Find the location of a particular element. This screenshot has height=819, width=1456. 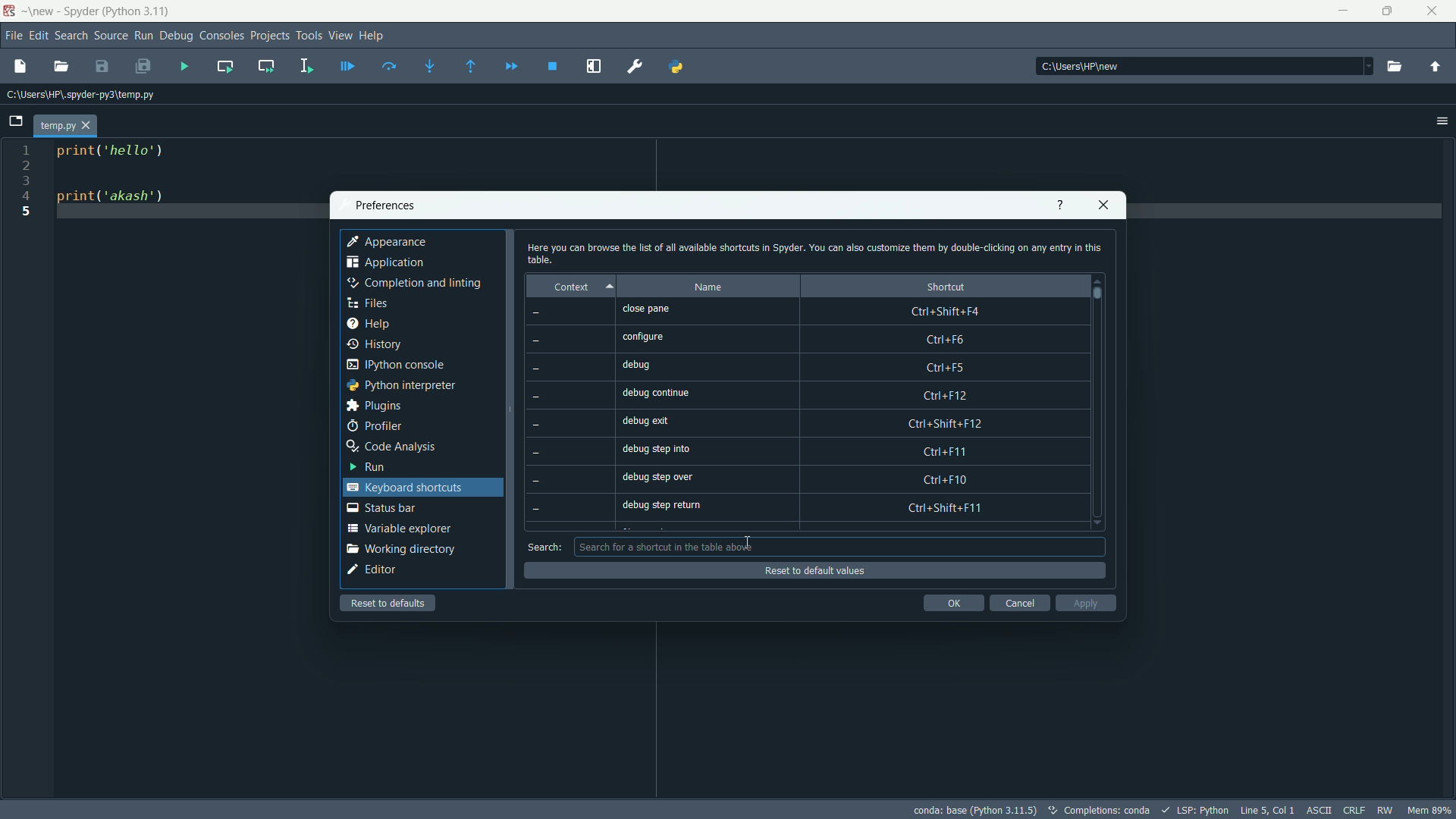

preferences  is located at coordinates (635, 67).